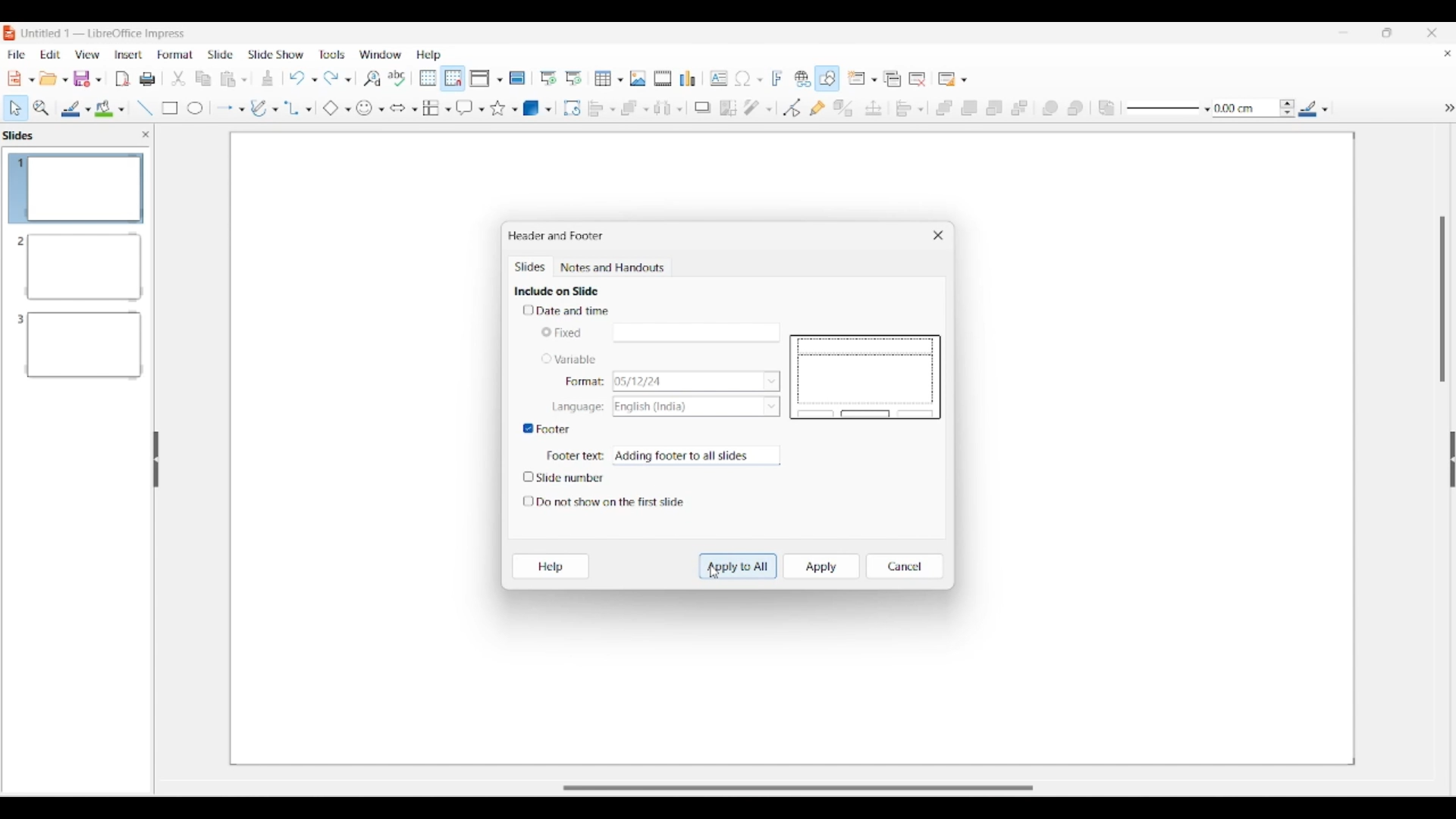 The height and width of the screenshot is (819, 1456). I want to click on Delete slide, so click(918, 80).